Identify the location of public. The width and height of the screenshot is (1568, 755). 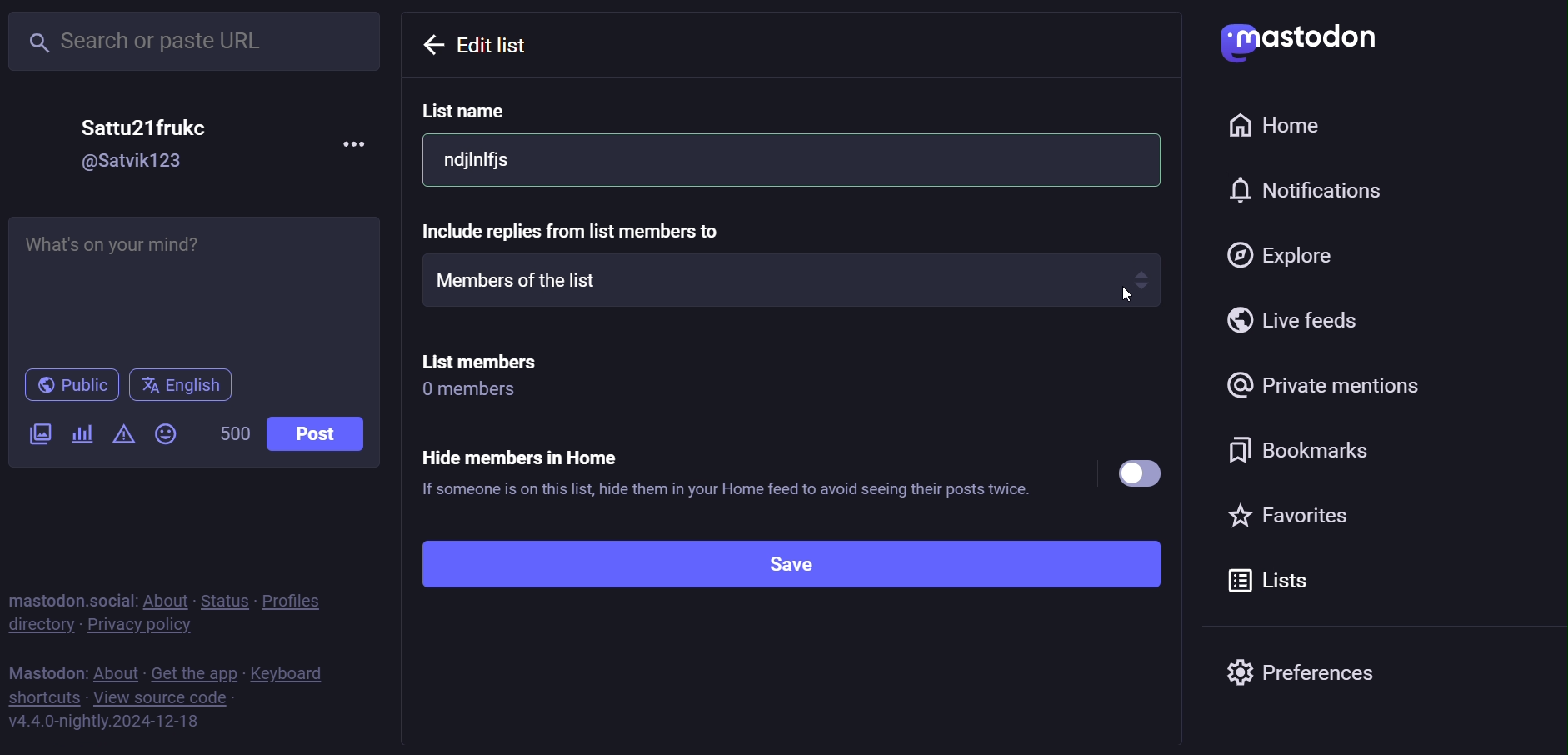
(69, 384).